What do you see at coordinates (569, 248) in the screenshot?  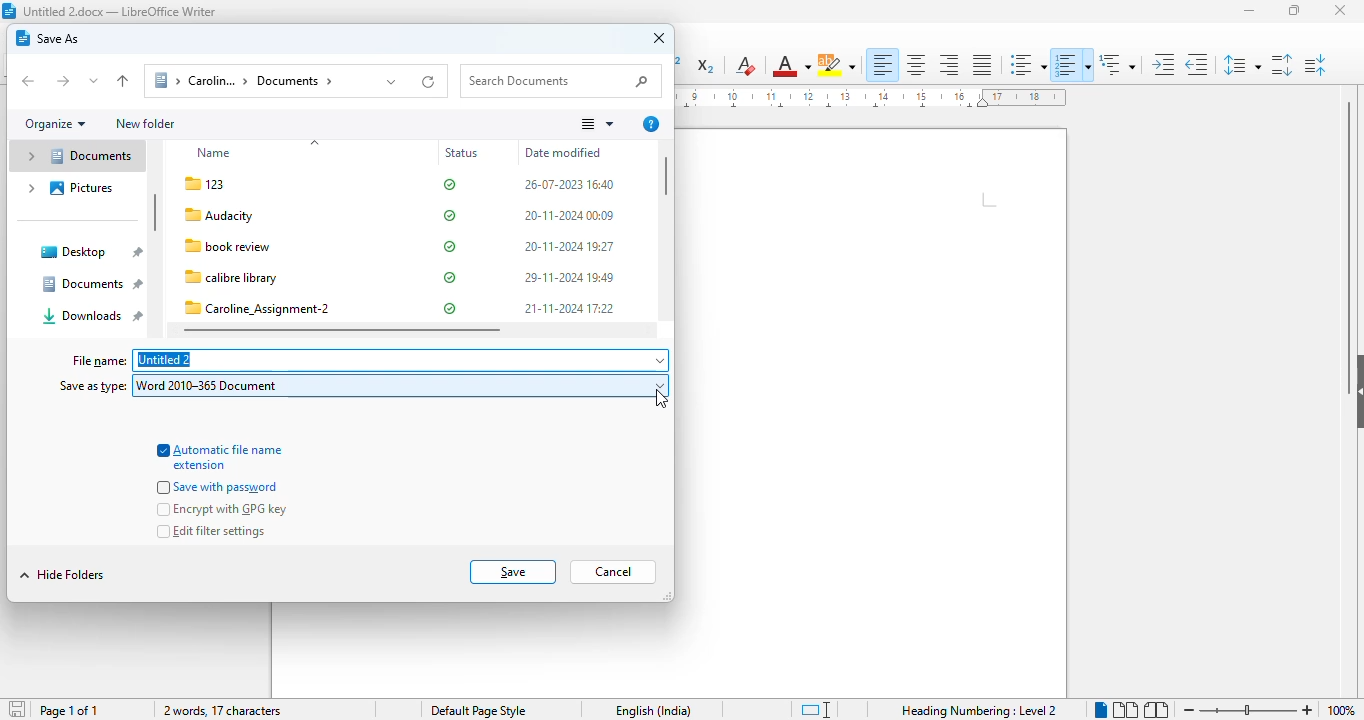 I see `date modified & time` at bounding box center [569, 248].